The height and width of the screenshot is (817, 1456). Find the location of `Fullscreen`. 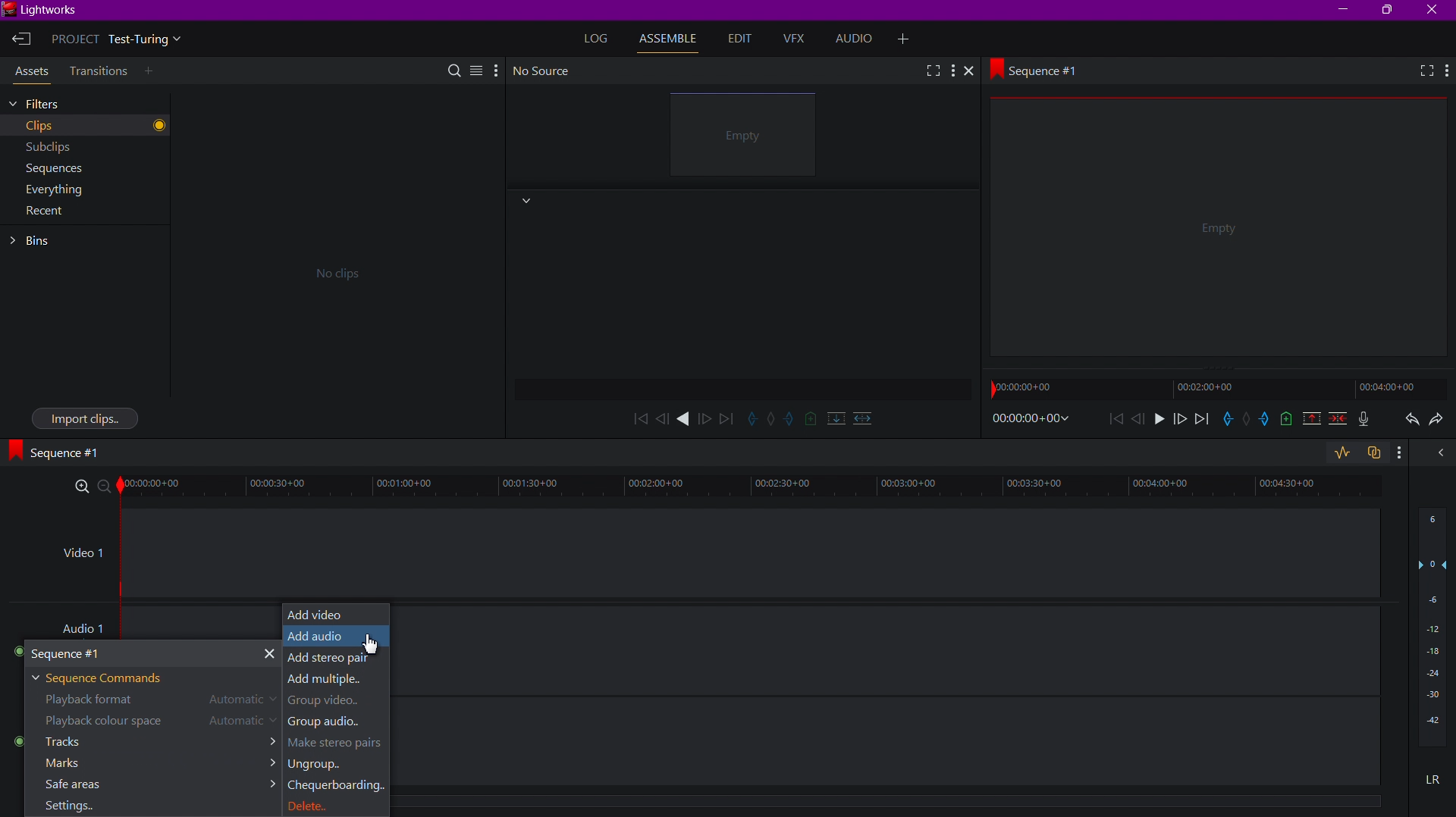

Fullscreen is located at coordinates (931, 70).